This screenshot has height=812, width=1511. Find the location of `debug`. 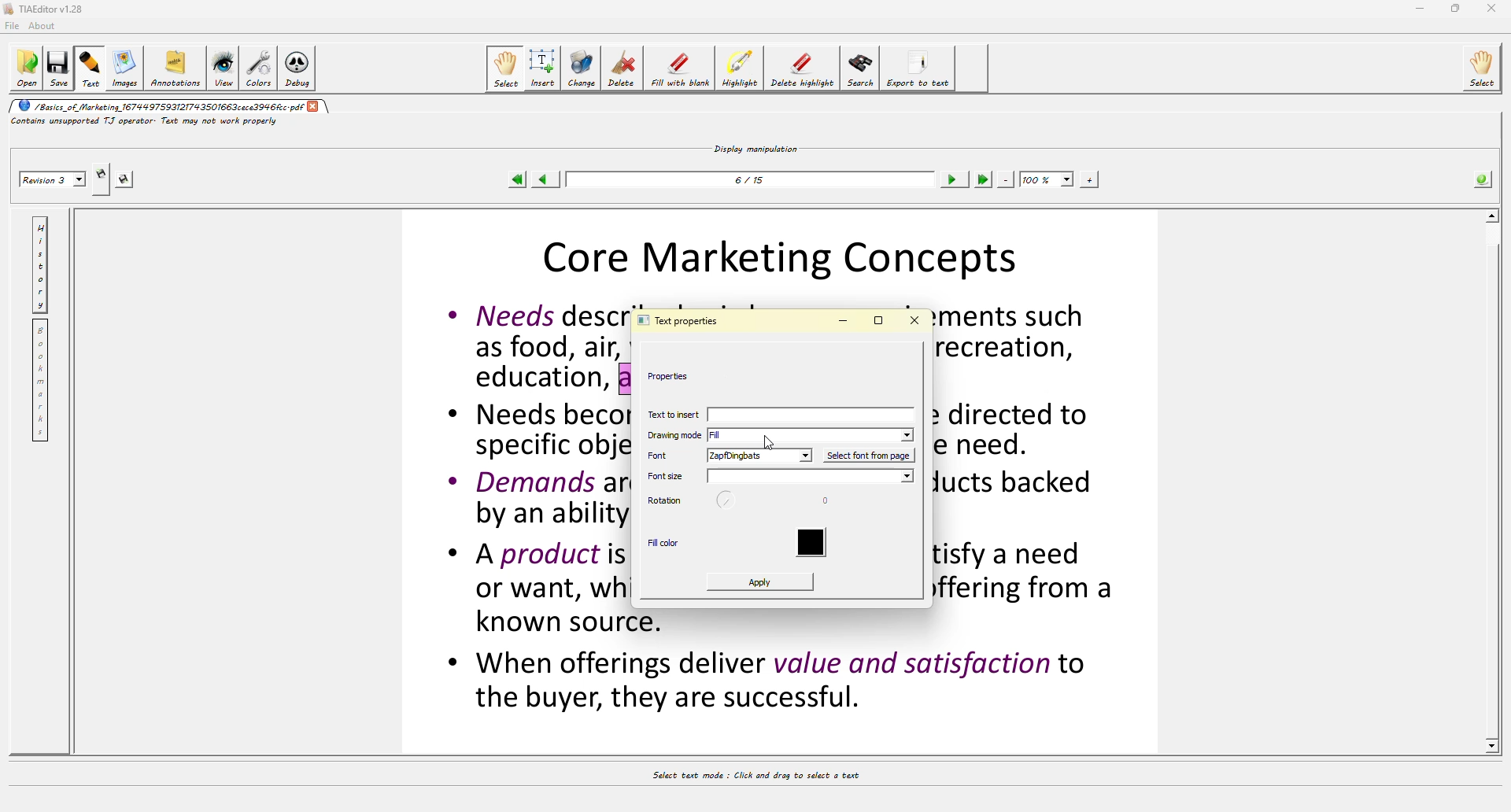

debug is located at coordinates (295, 71).